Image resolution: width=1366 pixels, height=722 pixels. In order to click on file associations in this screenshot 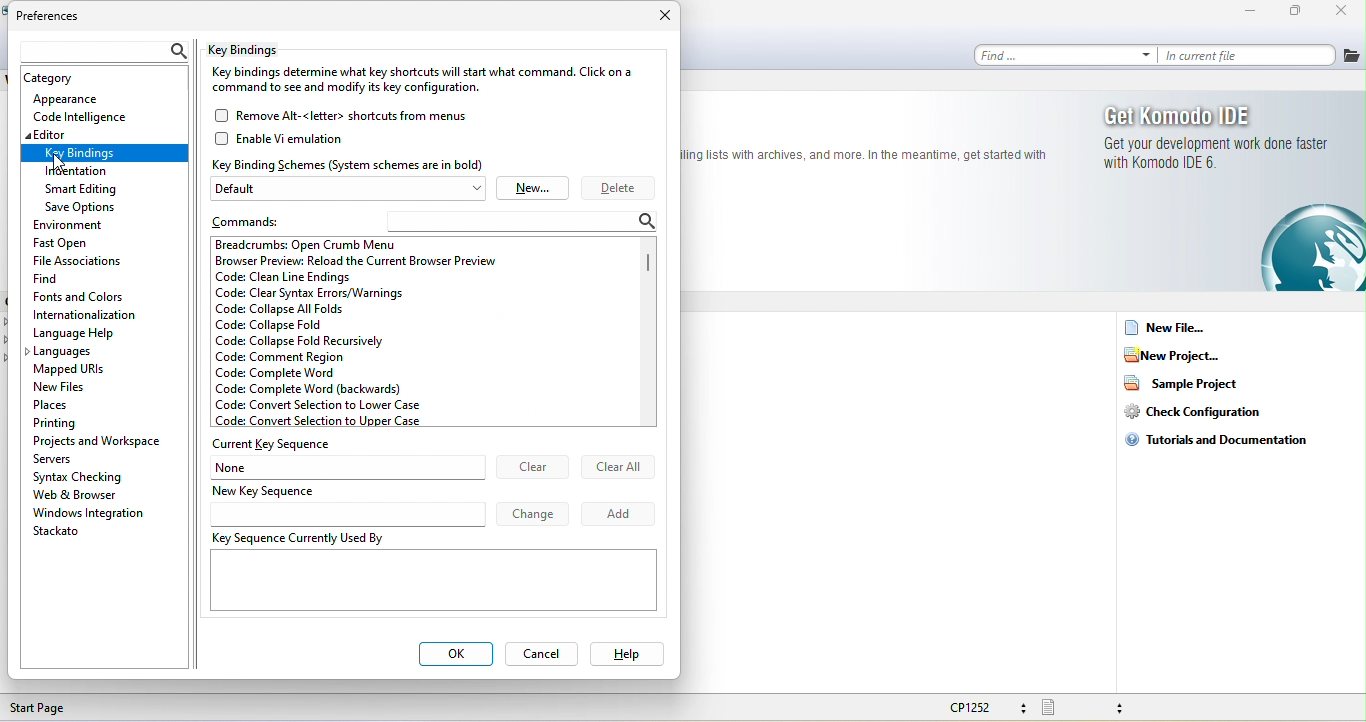, I will do `click(78, 259)`.